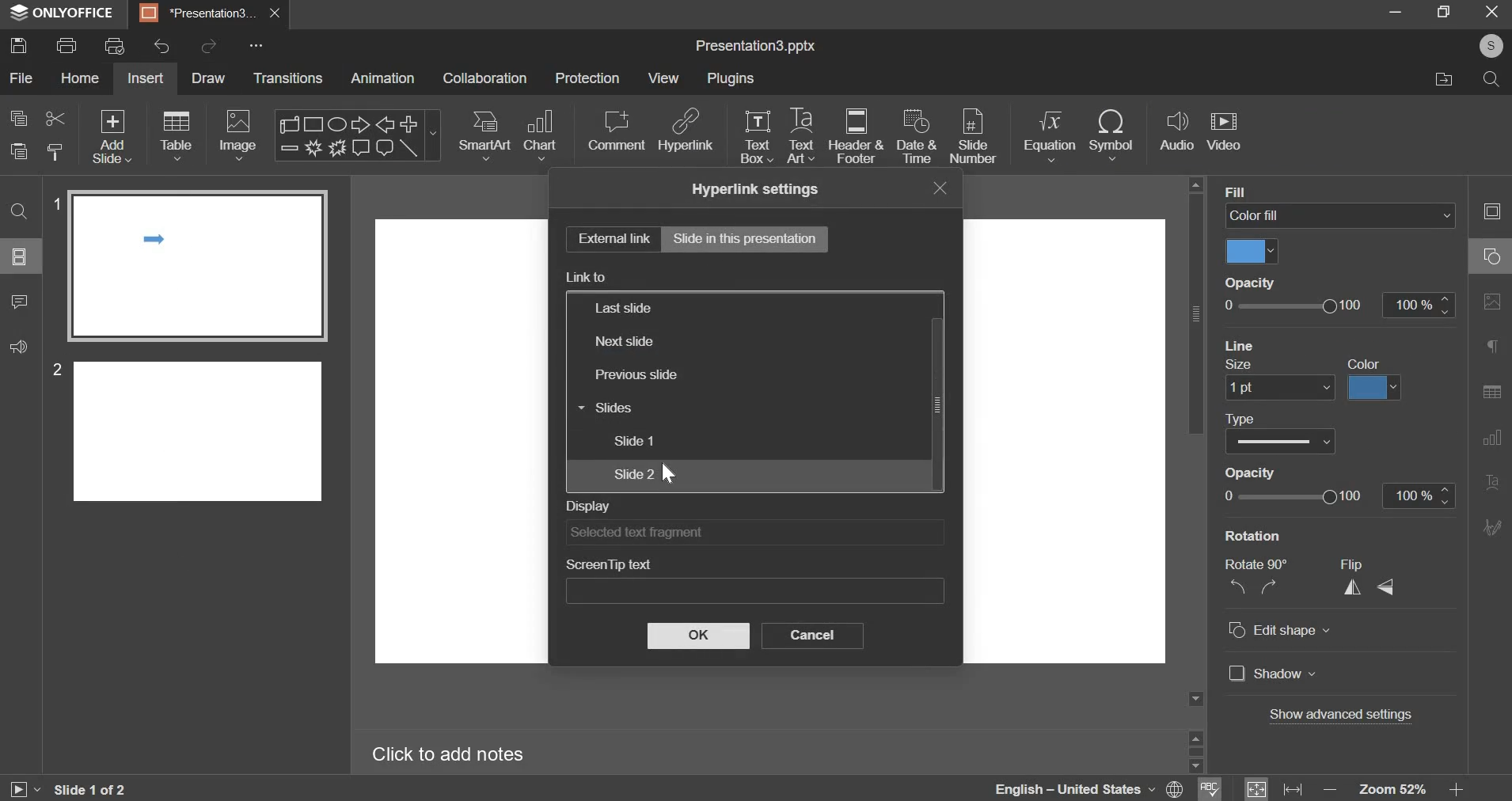  What do you see at coordinates (409, 148) in the screenshot?
I see `line` at bounding box center [409, 148].